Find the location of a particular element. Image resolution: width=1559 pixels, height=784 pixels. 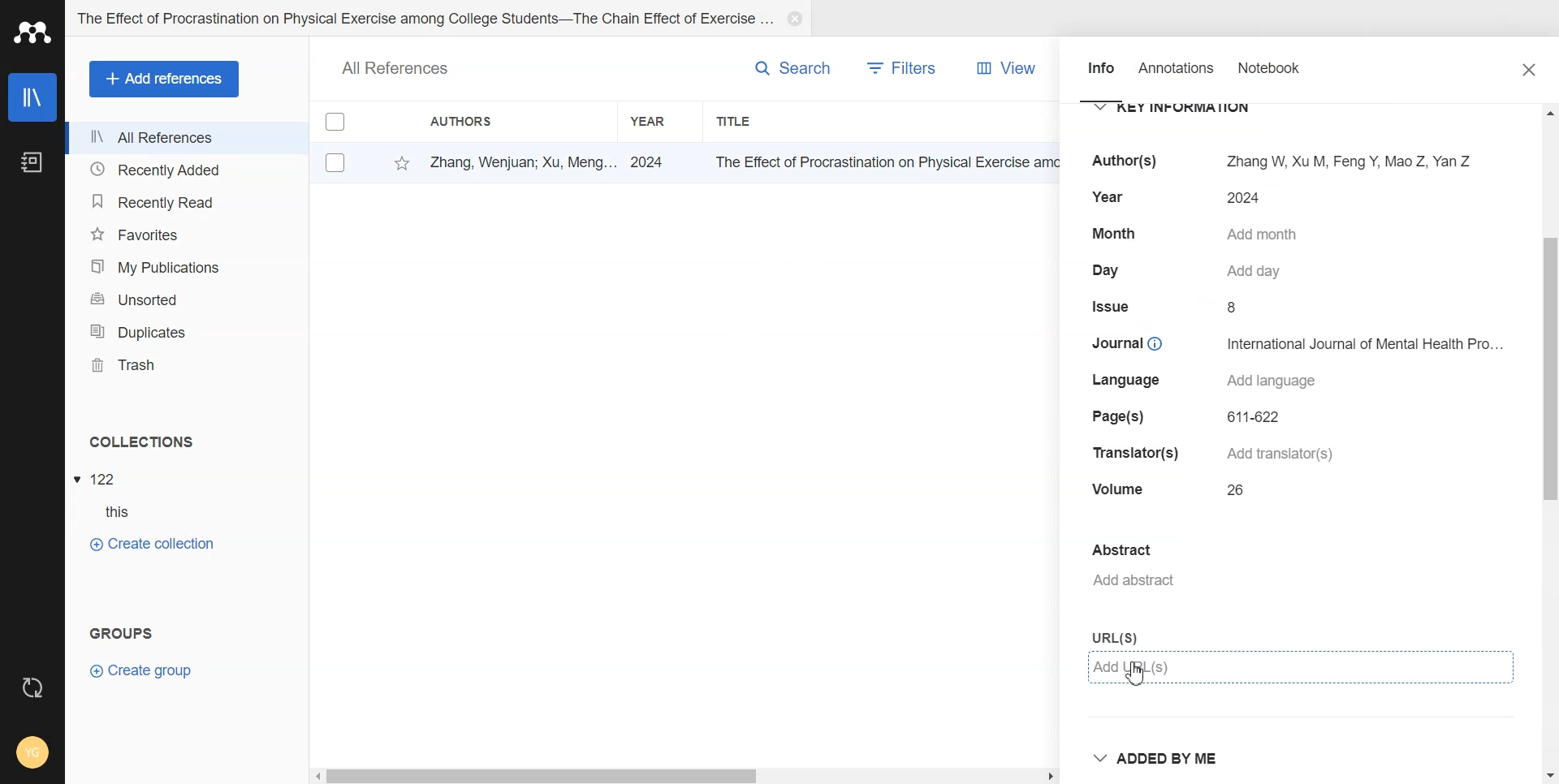

Recently Added is located at coordinates (184, 170).